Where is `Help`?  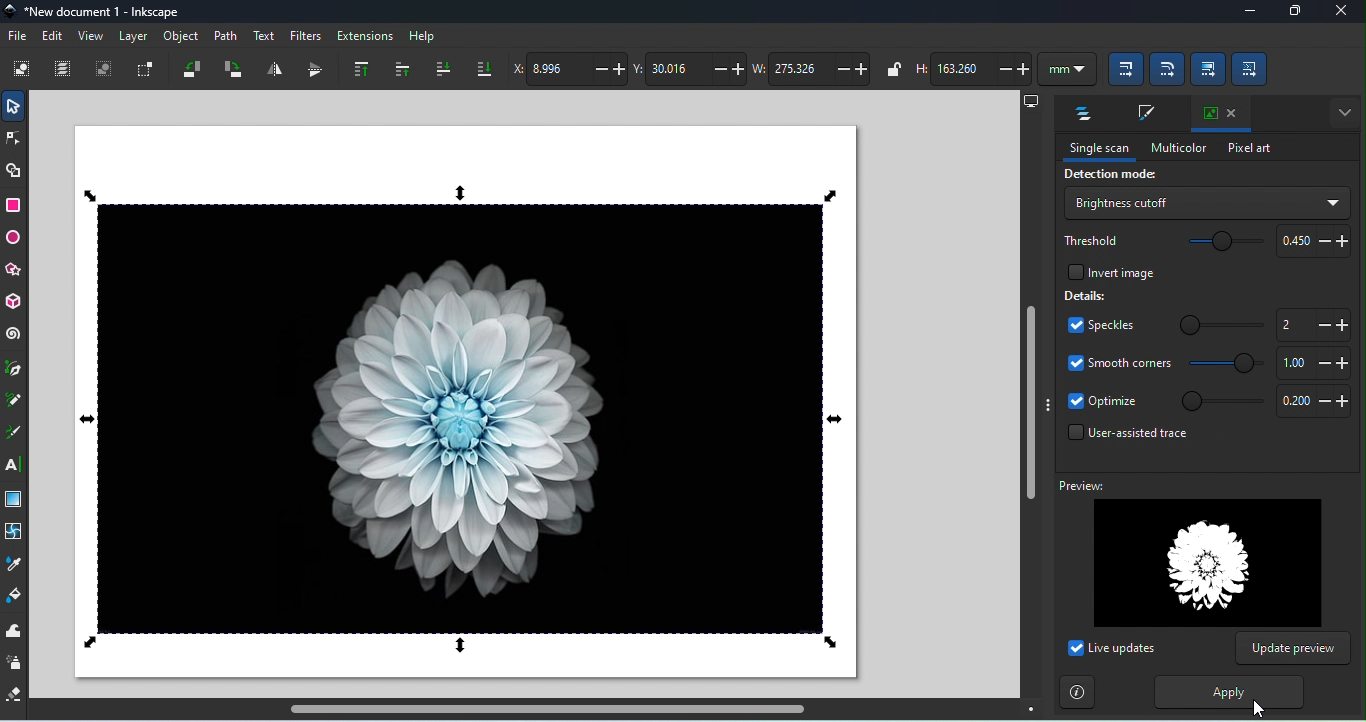
Help is located at coordinates (422, 36).